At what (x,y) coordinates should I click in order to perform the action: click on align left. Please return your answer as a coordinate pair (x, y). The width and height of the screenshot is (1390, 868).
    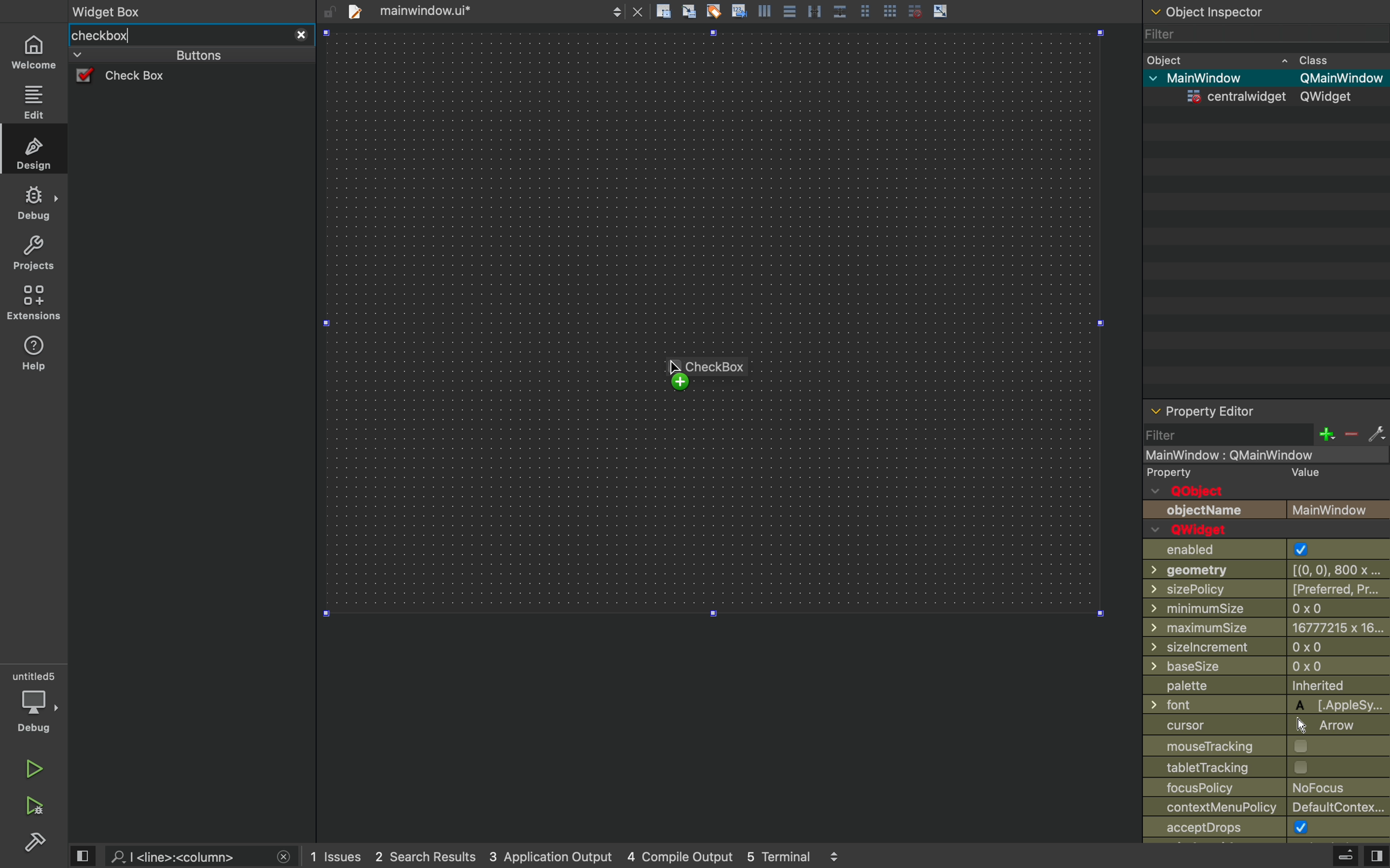
    Looking at the image, I should click on (764, 10).